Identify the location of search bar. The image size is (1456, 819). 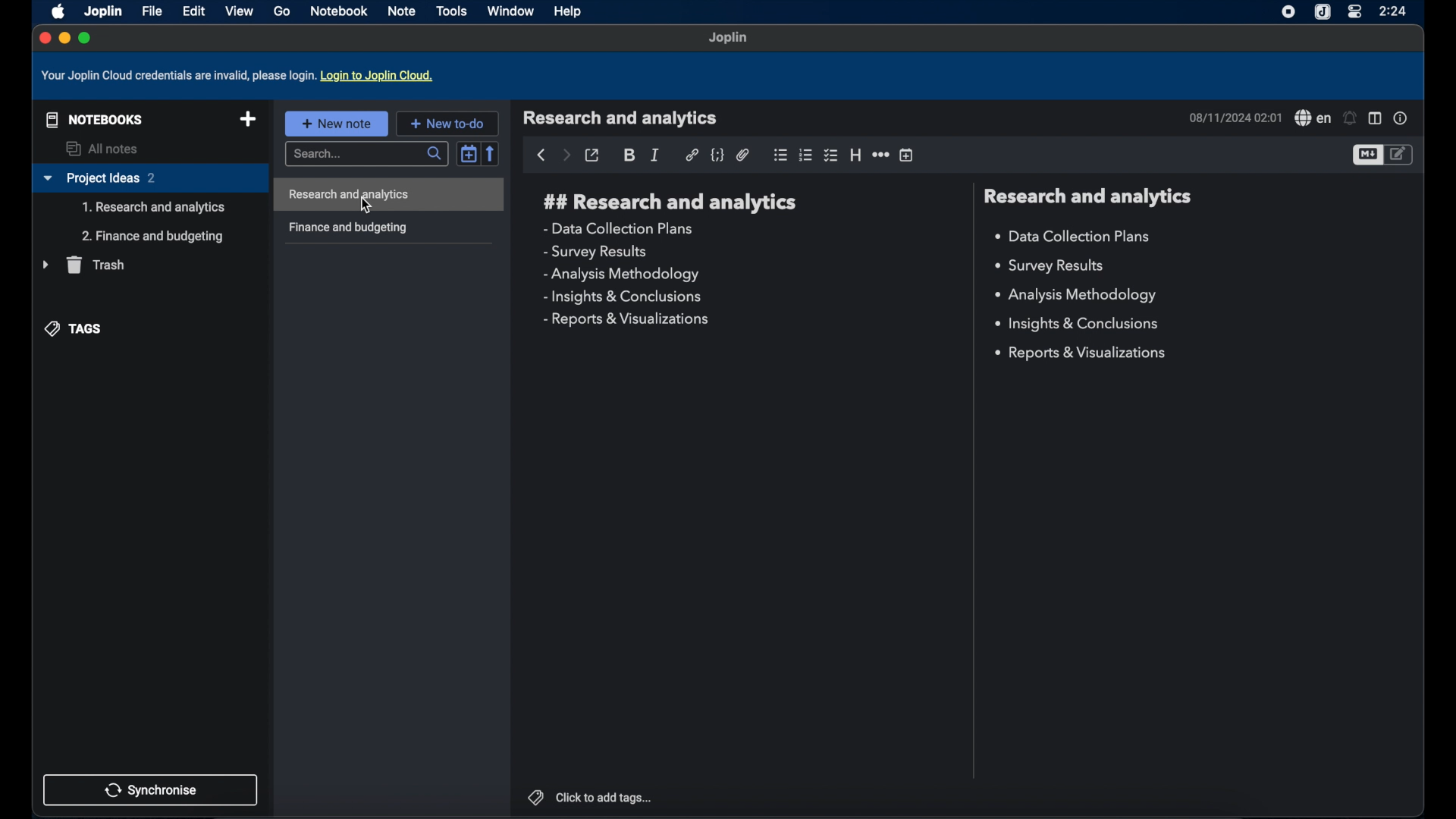
(365, 155).